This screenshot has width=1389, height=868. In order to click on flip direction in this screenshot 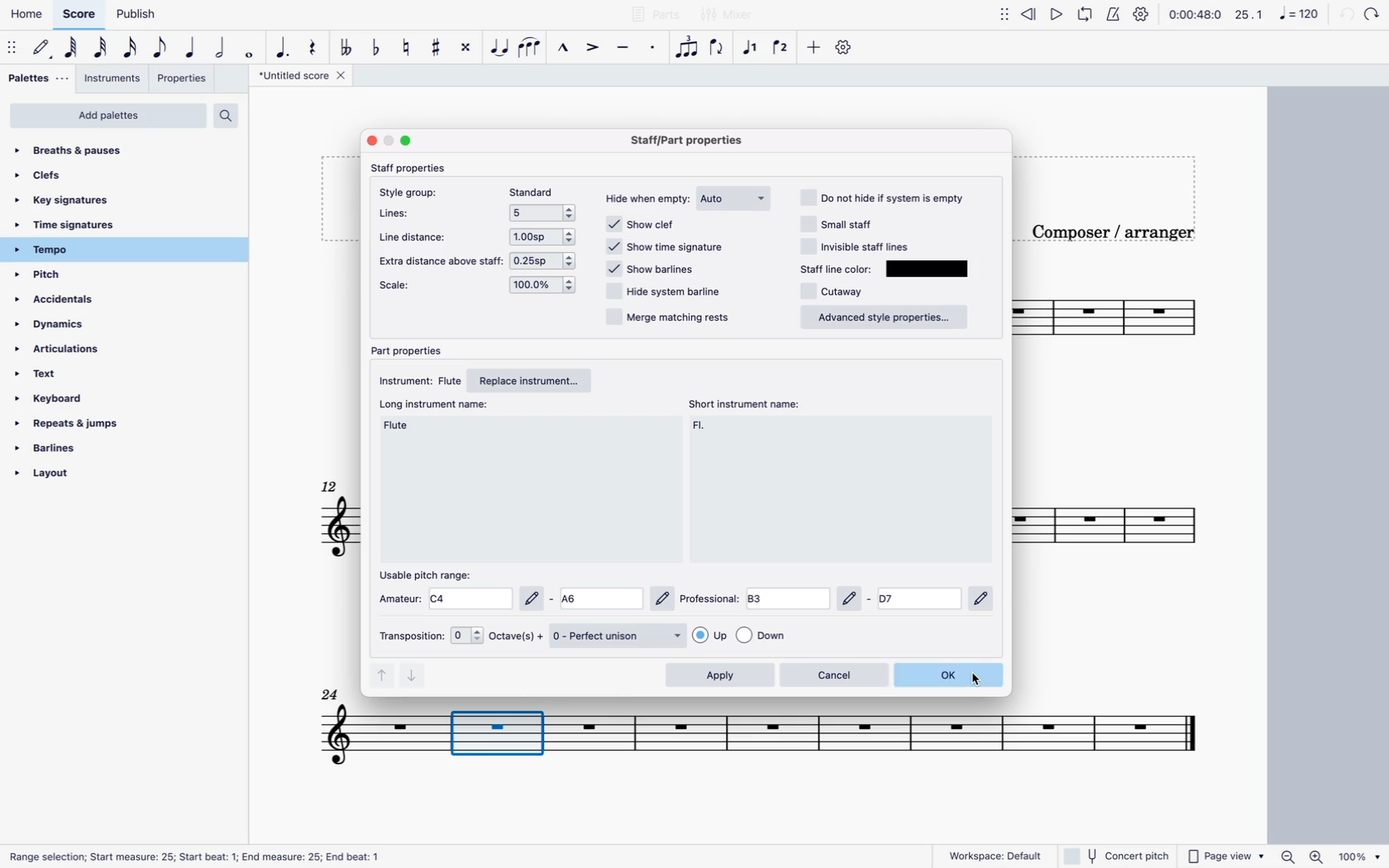, I will do `click(716, 47)`.